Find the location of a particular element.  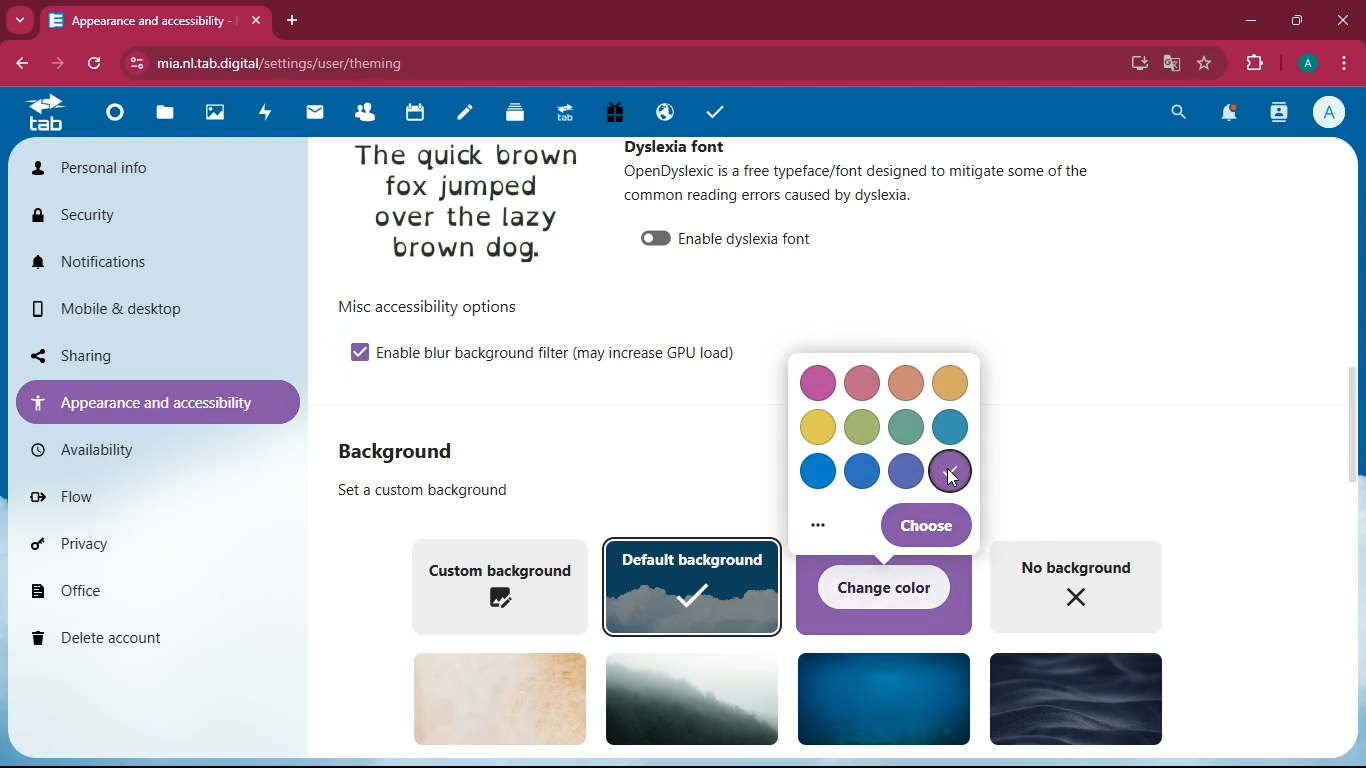

choose is located at coordinates (925, 525).